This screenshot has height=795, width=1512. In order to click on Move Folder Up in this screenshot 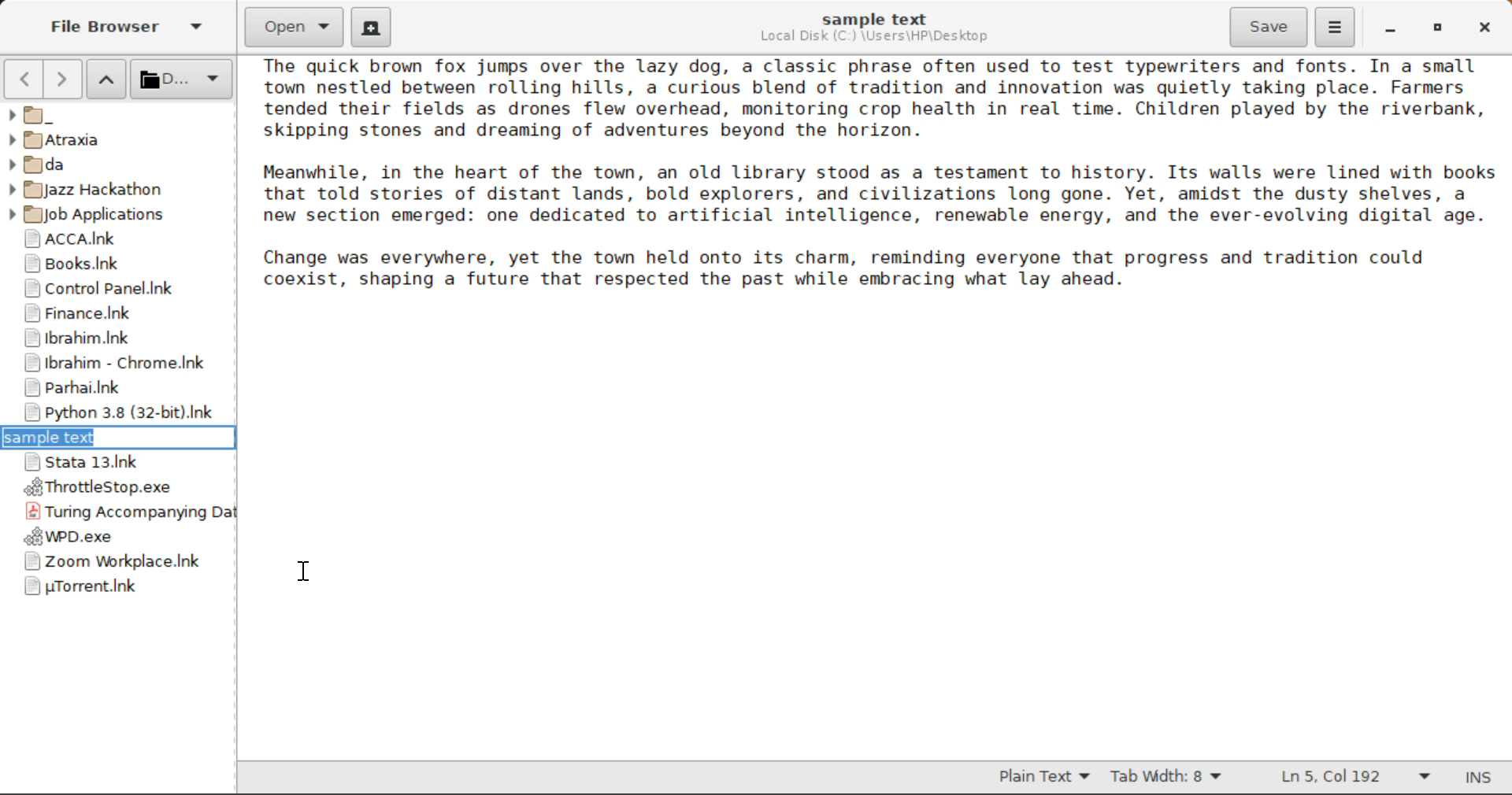, I will do `click(107, 80)`.